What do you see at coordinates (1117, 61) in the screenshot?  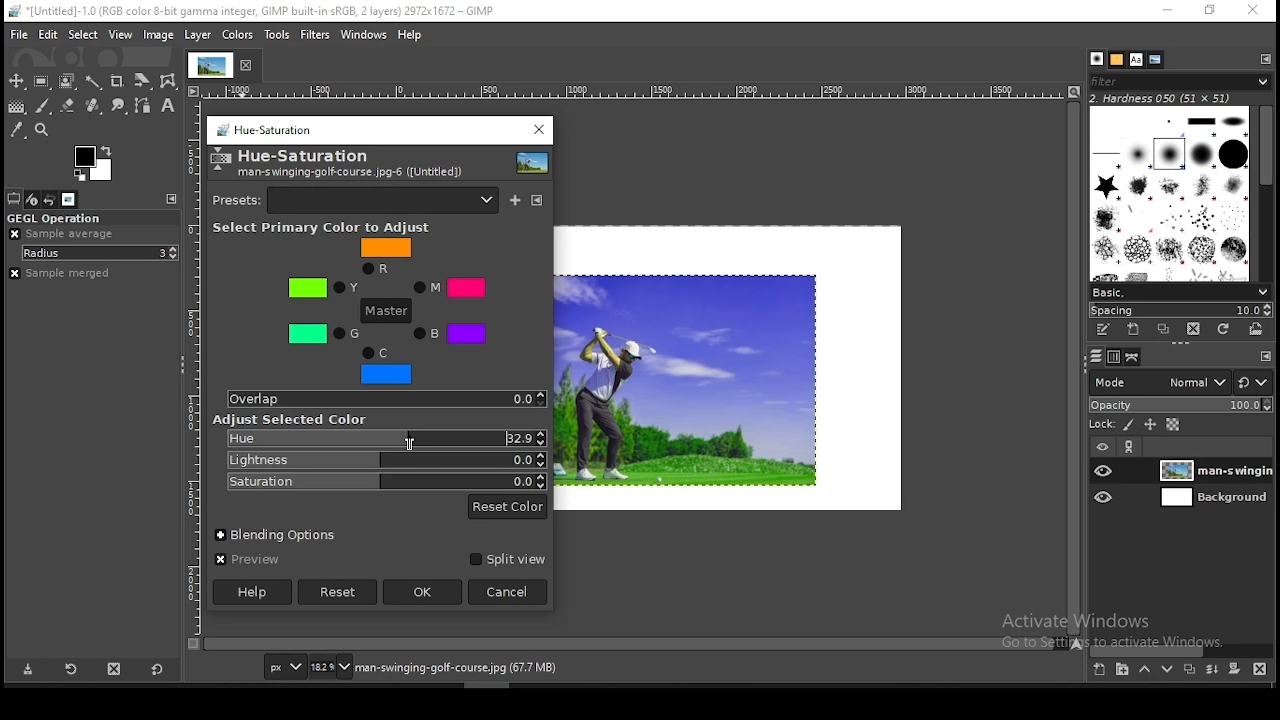 I see `patterns` at bounding box center [1117, 61].